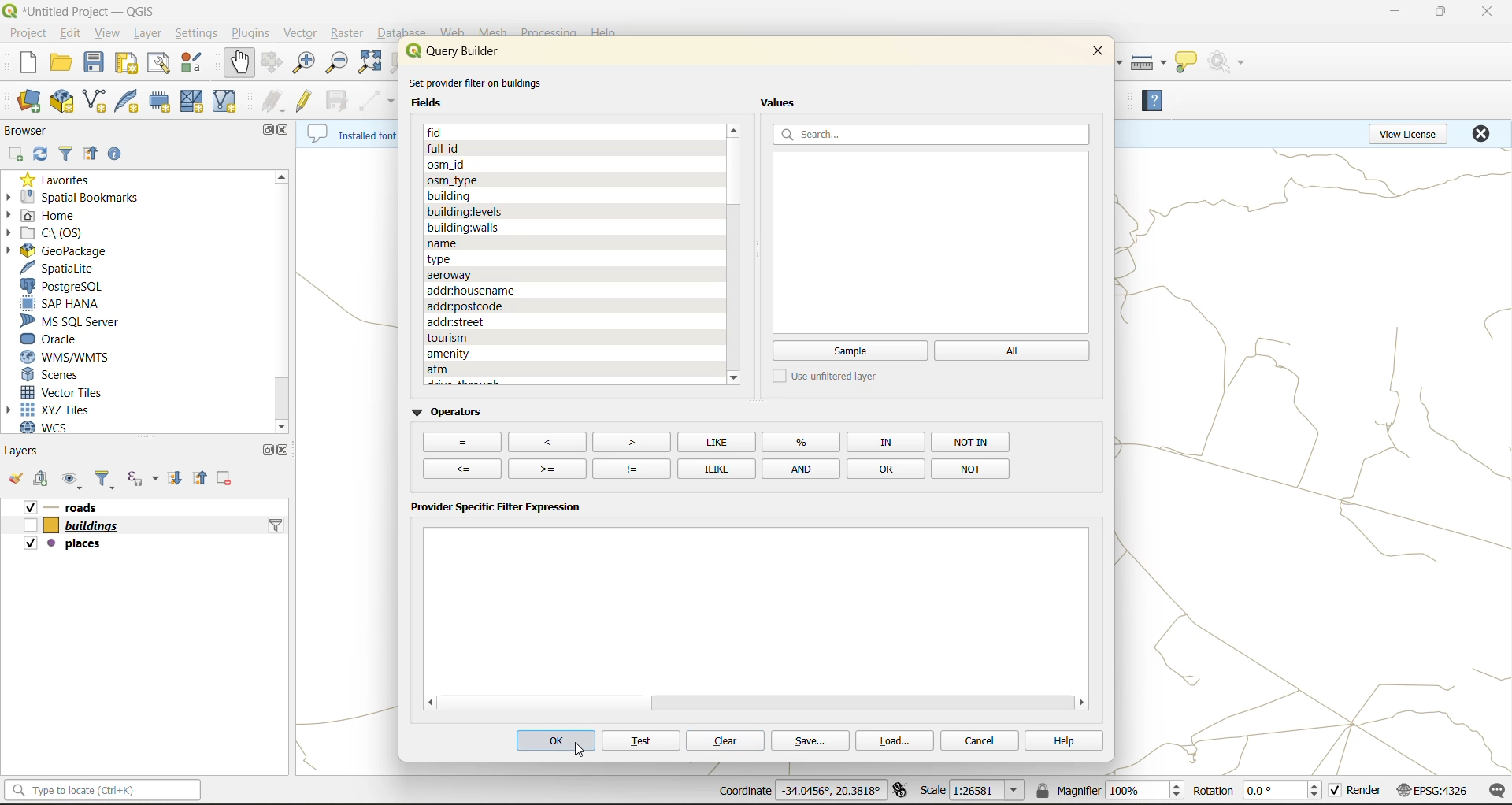 The image size is (1512, 805). Describe the element at coordinates (491, 339) in the screenshot. I see `fields` at that location.